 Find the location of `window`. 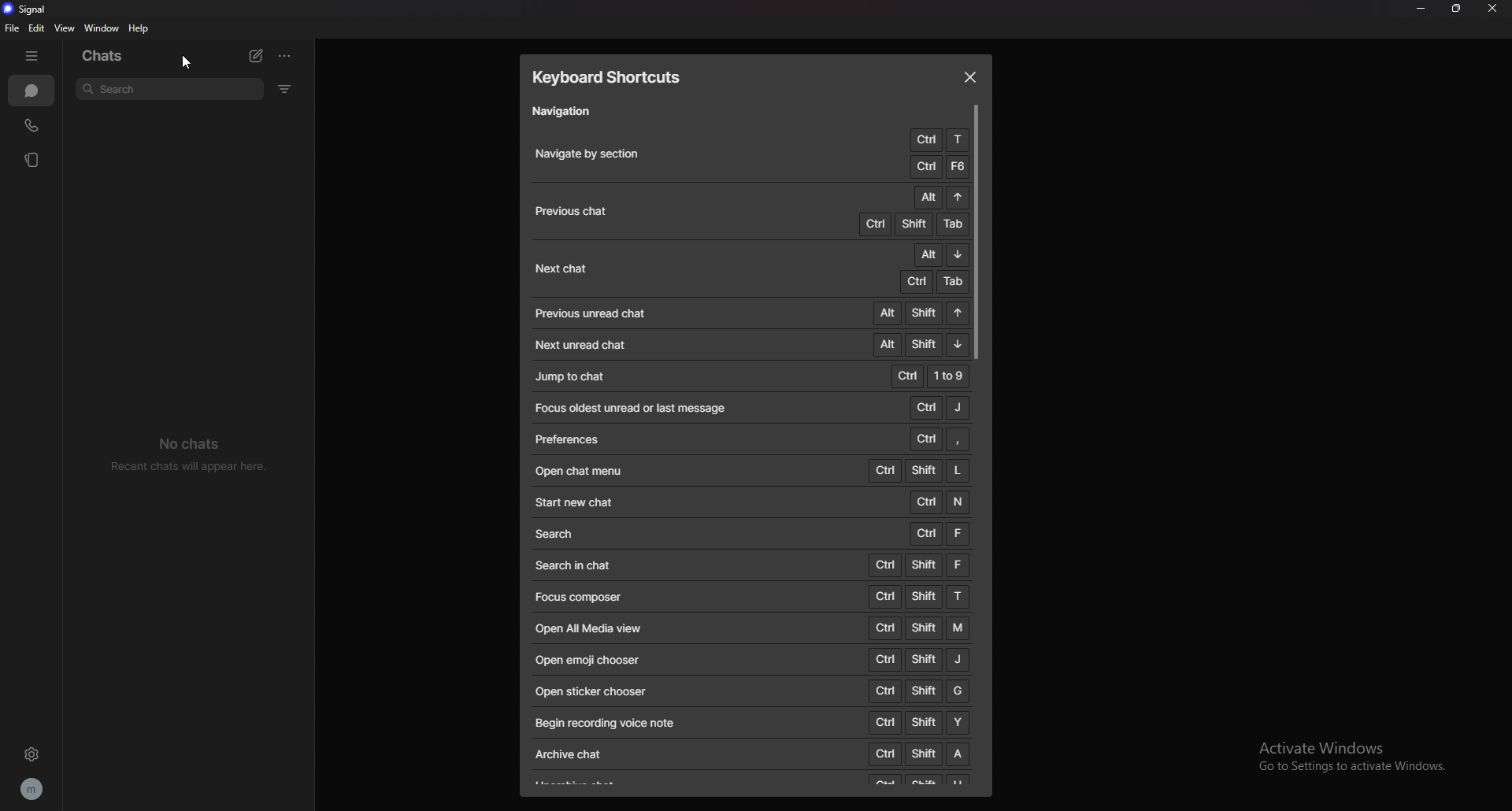

window is located at coordinates (102, 28).